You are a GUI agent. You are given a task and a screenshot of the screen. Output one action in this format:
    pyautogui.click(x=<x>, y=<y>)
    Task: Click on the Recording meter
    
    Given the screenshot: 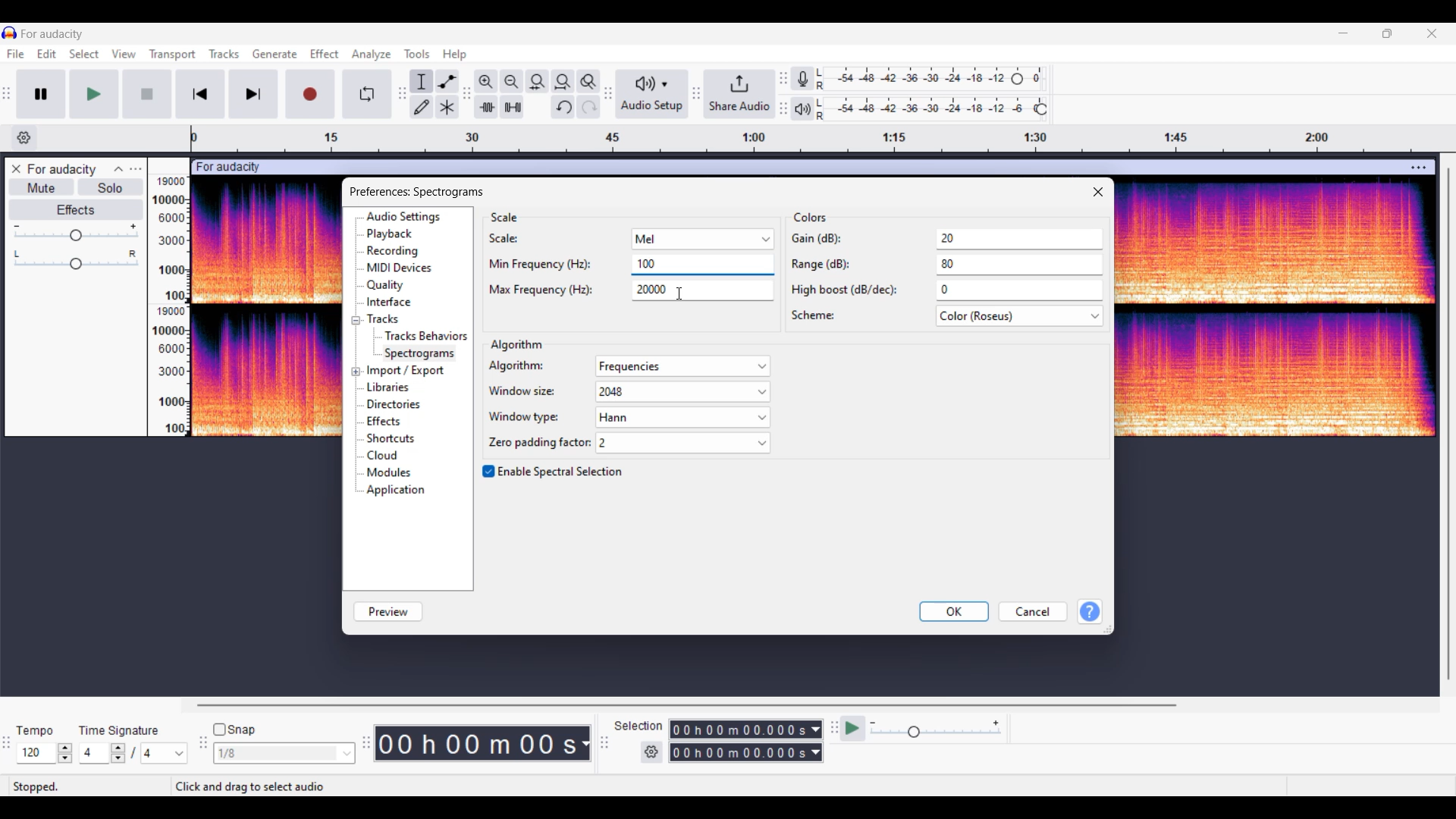 What is the action you would take?
    pyautogui.click(x=802, y=78)
    